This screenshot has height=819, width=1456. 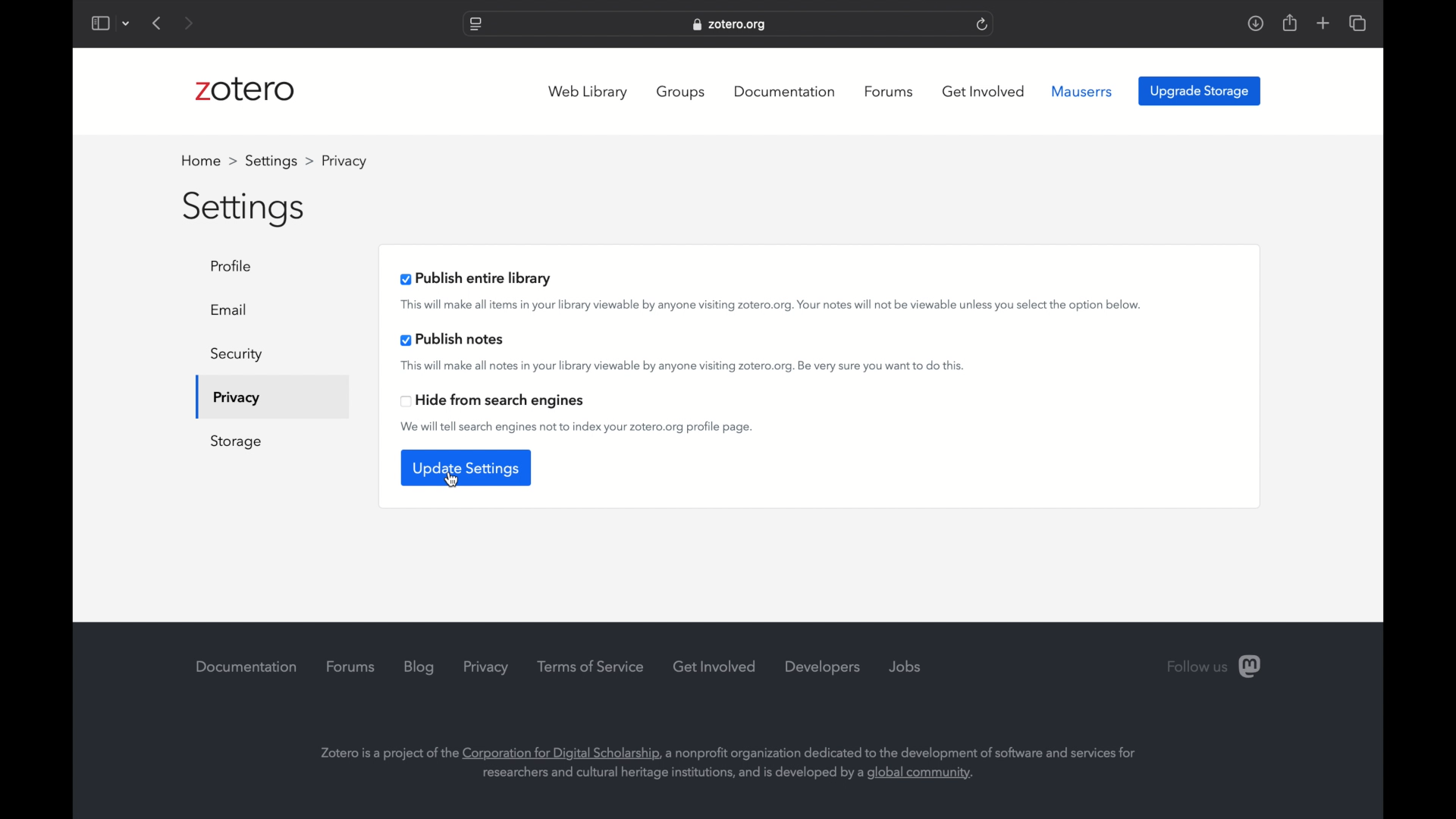 What do you see at coordinates (466, 468) in the screenshot?
I see `update settings` at bounding box center [466, 468].